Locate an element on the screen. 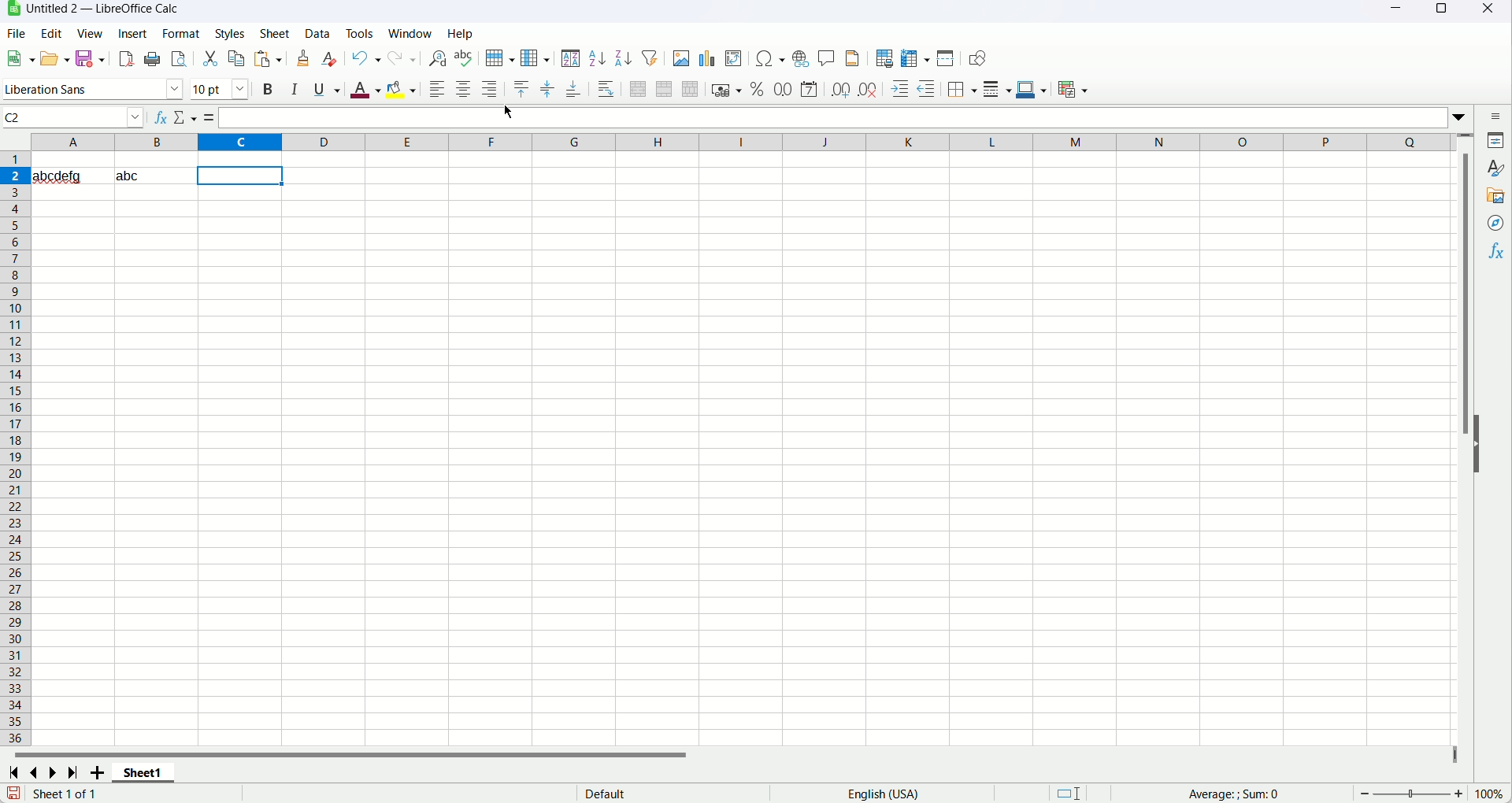 The width and height of the screenshot is (1512, 803). sort ascending is located at coordinates (596, 59).